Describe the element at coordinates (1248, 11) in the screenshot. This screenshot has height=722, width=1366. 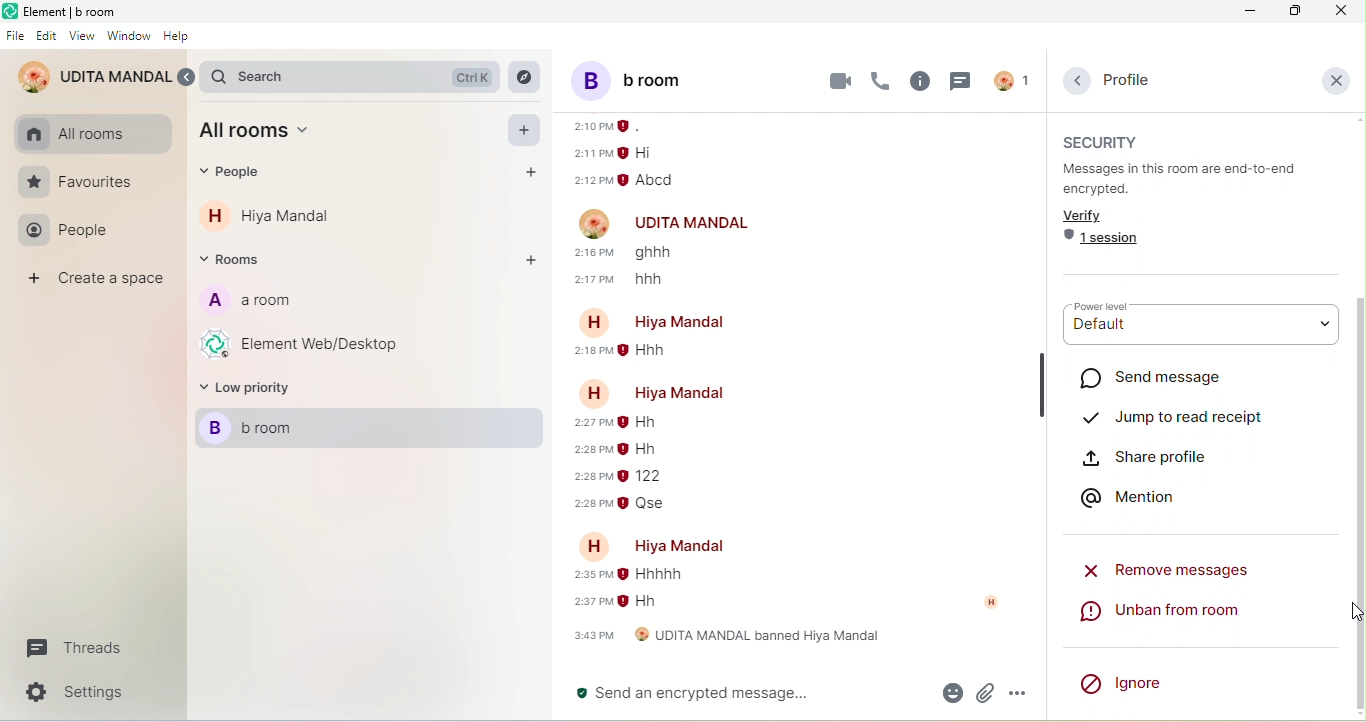
I see `minimize` at that location.